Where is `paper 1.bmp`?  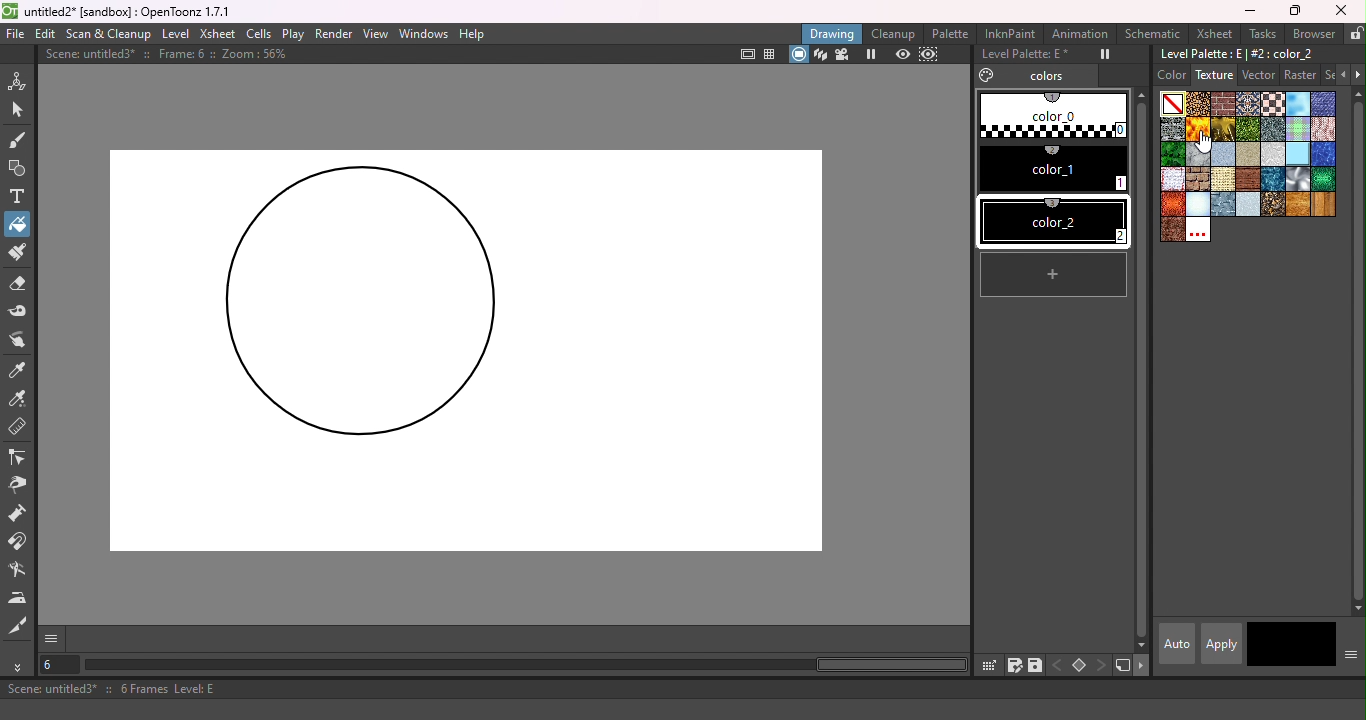
paper 1.bmp is located at coordinates (1225, 154).